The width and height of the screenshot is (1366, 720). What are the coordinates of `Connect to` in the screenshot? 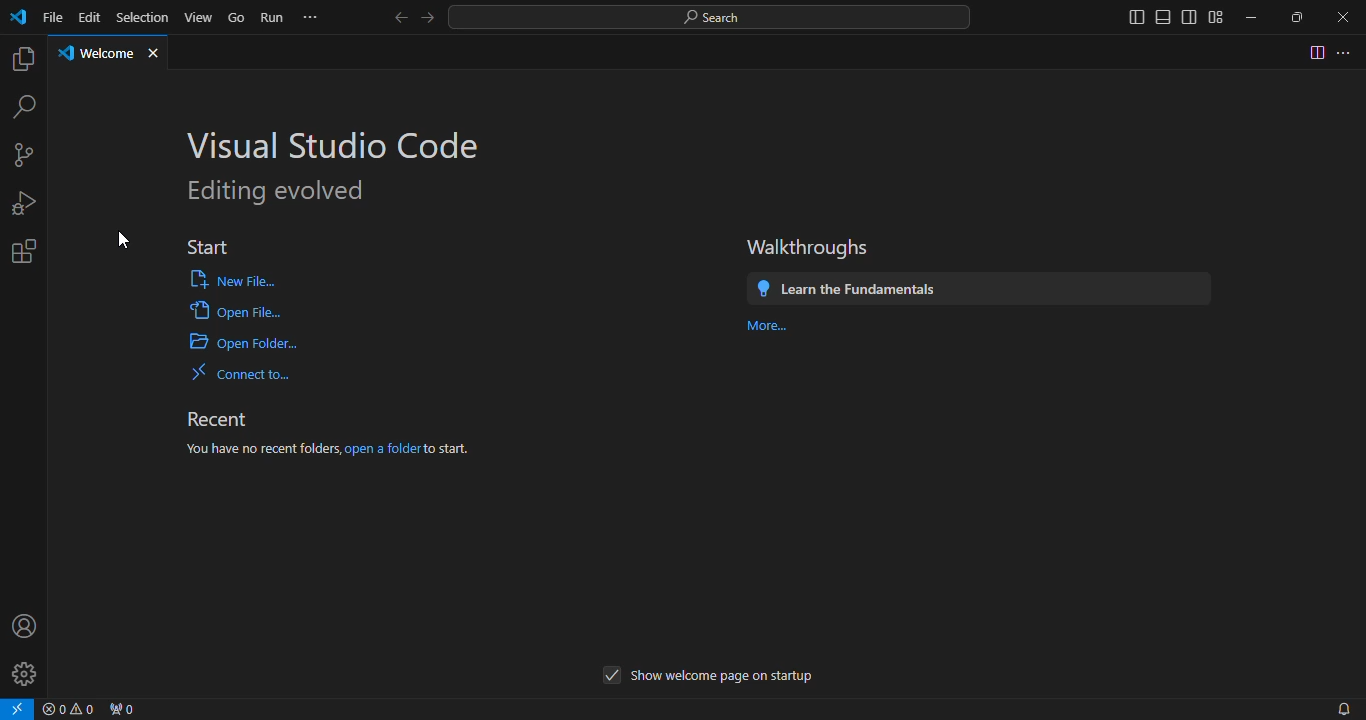 It's located at (238, 370).